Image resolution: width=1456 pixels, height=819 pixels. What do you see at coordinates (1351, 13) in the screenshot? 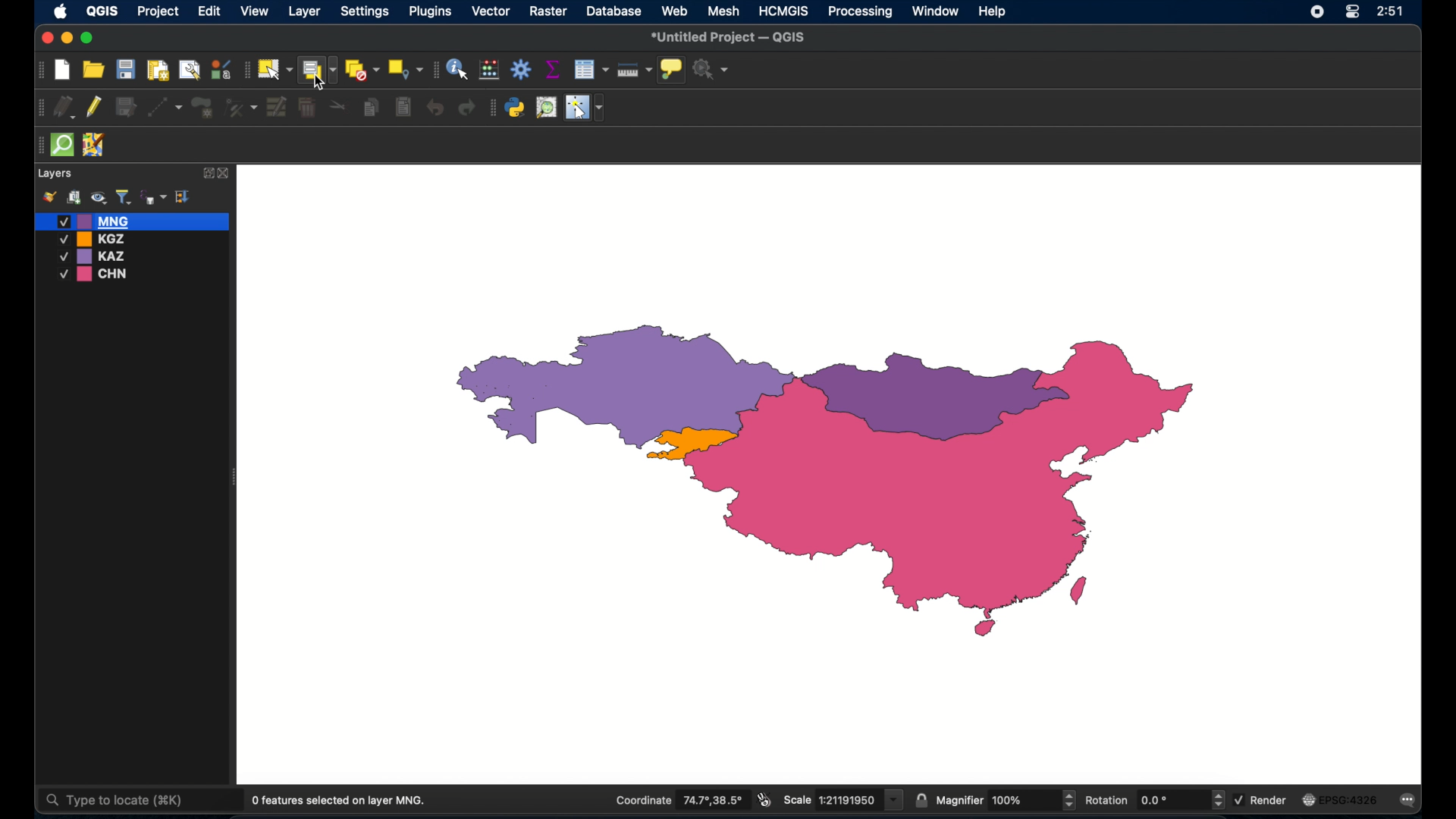
I see `control center` at bounding box center [1351, 13].